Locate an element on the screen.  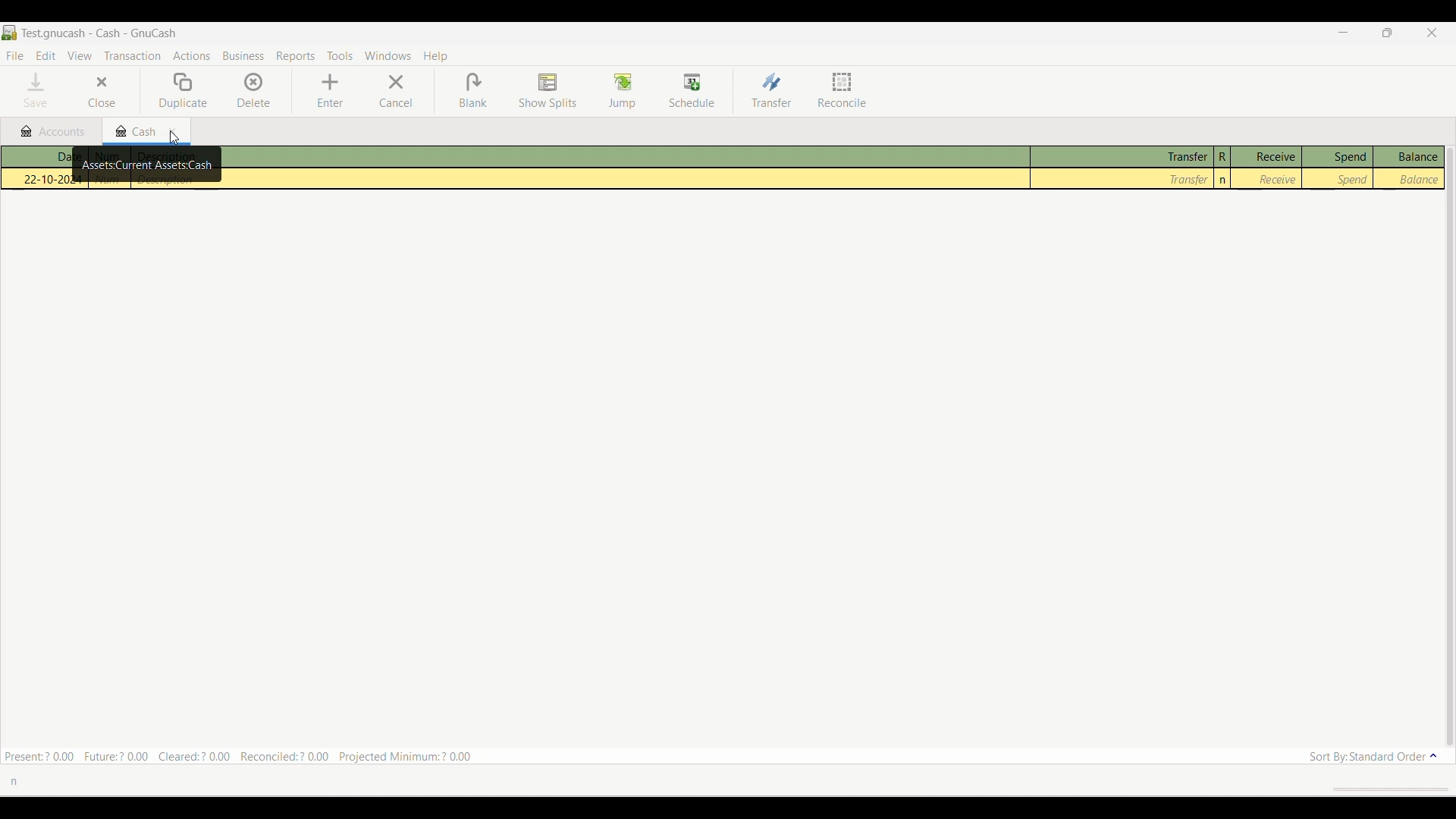
spend is located at coordinates (1340, 179).